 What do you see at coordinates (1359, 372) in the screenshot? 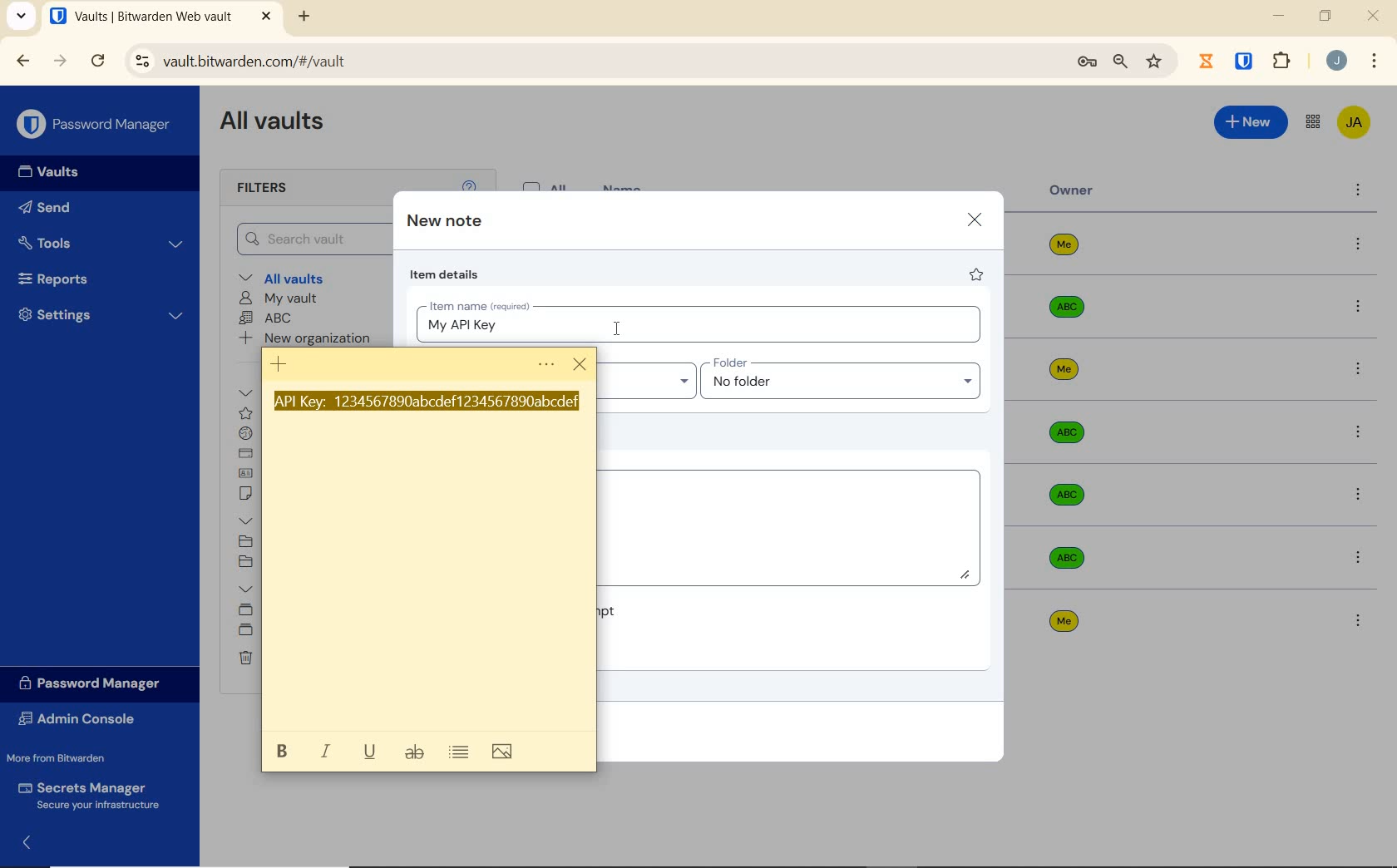
I see `more options` at bounding box center [1359, 372].